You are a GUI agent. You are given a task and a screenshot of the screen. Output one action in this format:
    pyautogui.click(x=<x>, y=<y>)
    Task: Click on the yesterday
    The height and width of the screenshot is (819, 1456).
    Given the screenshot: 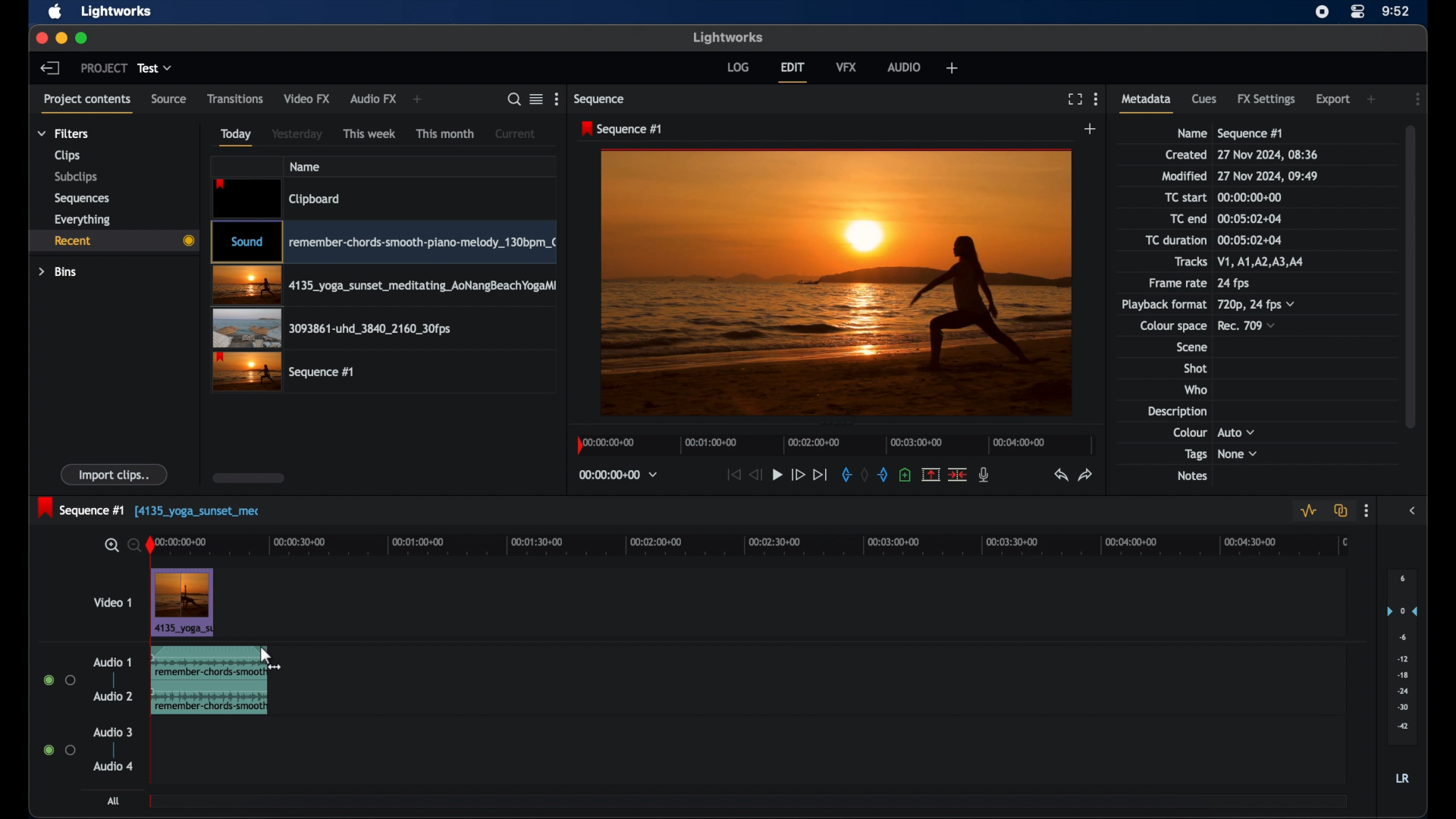 What is the action you would take?
    pyautogui.click(x=297, y=133)
    